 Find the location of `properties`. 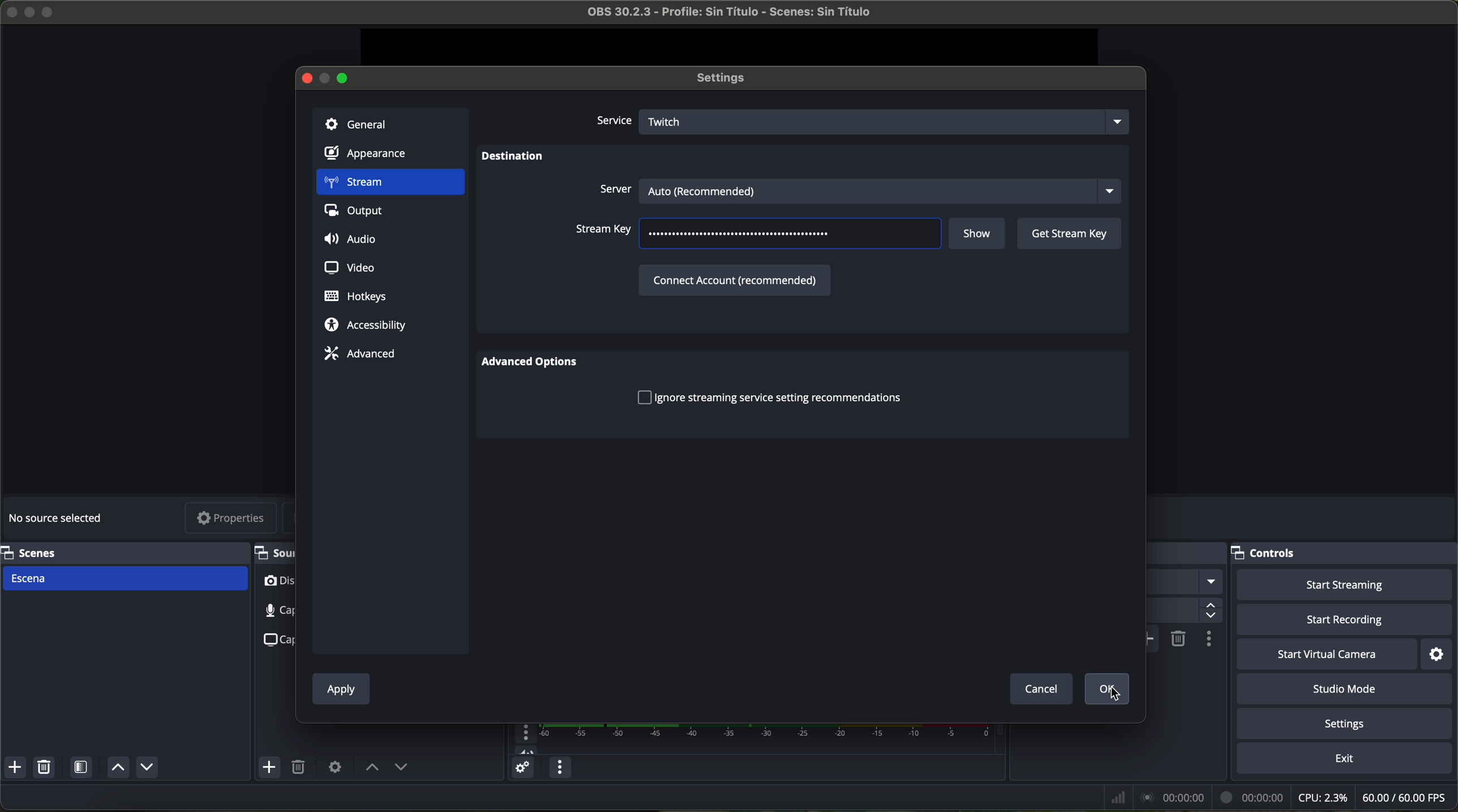

properties is located at coordinates (231, 519).